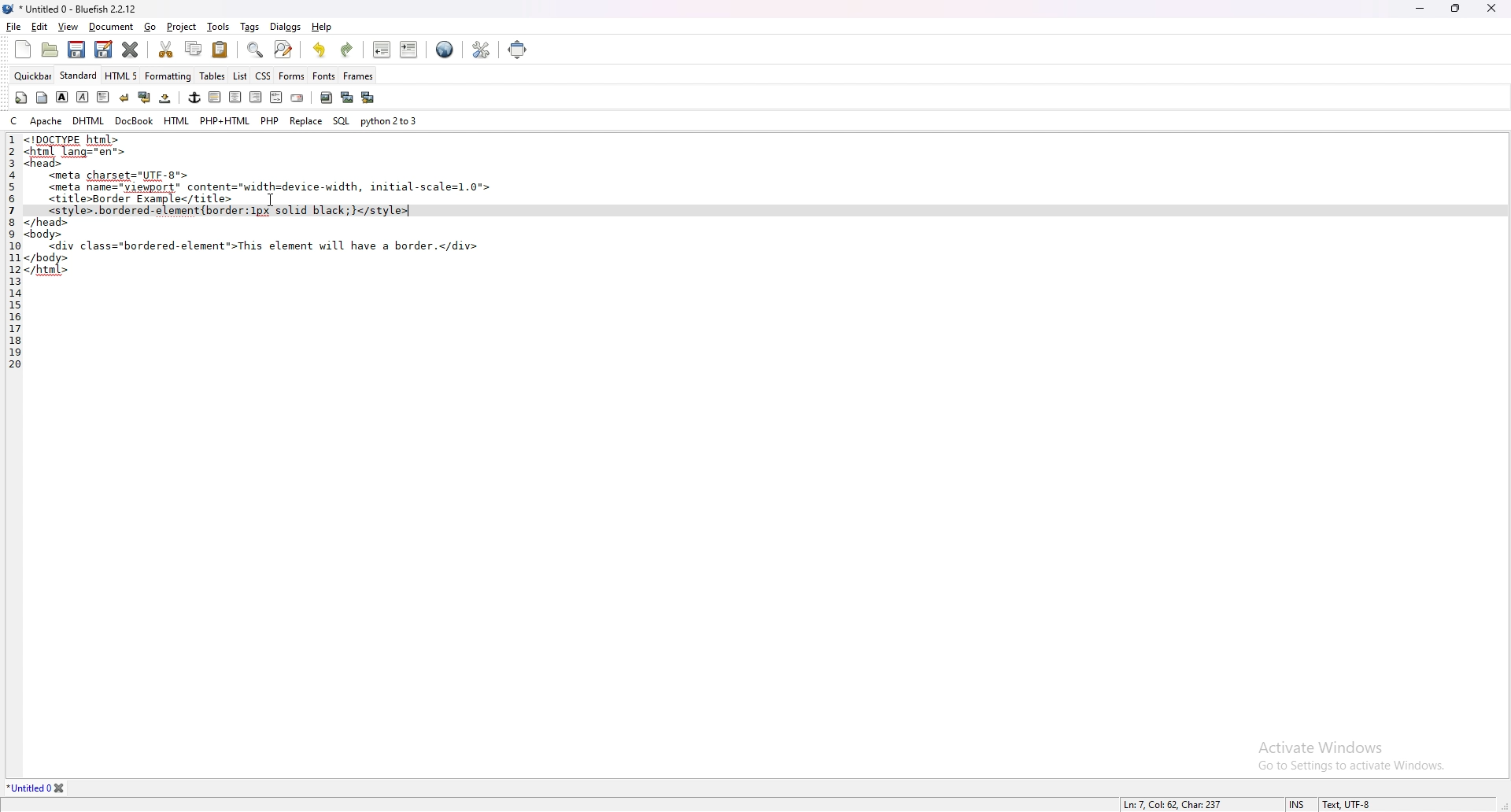 The height and width of the screenshot is (812, 1511). Describe the element at coordinates (145, 98) in the screenshot. I see `break and clear` at that location.